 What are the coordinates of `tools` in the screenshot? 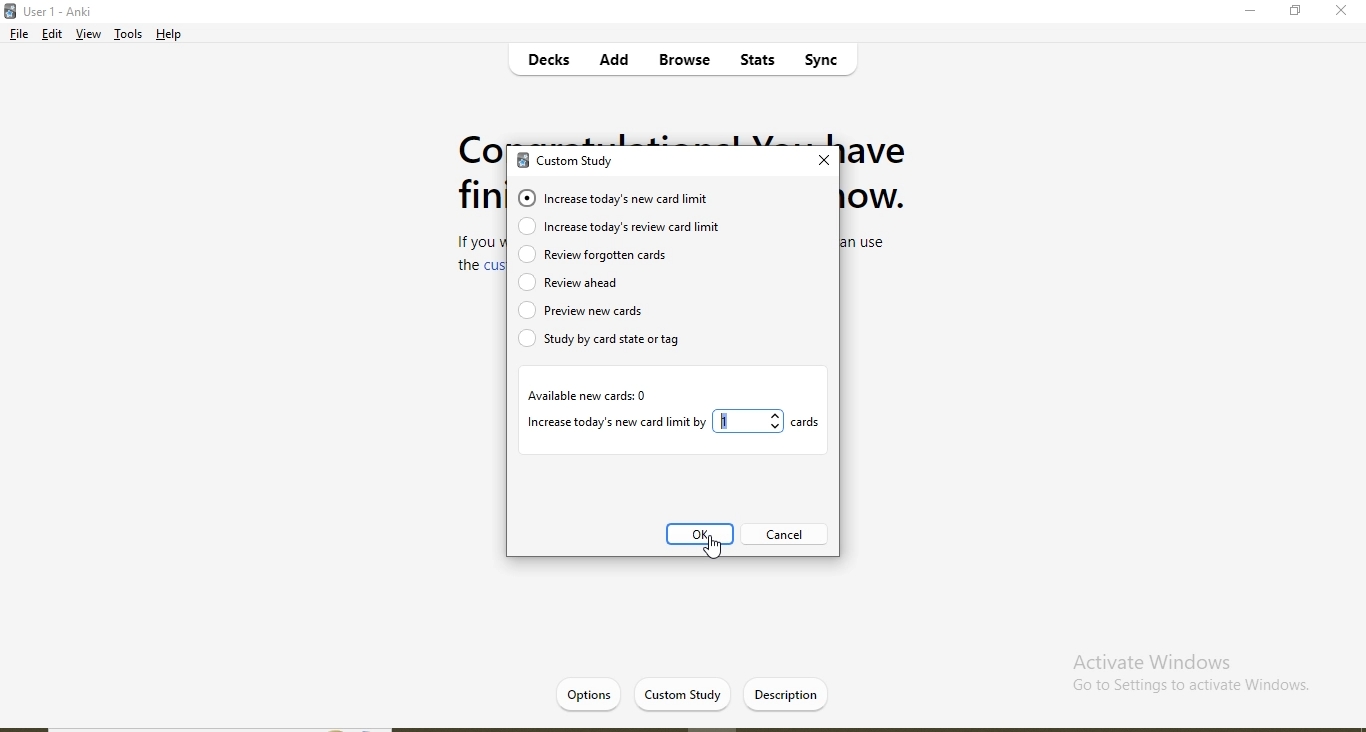 It's located at (128, 37).